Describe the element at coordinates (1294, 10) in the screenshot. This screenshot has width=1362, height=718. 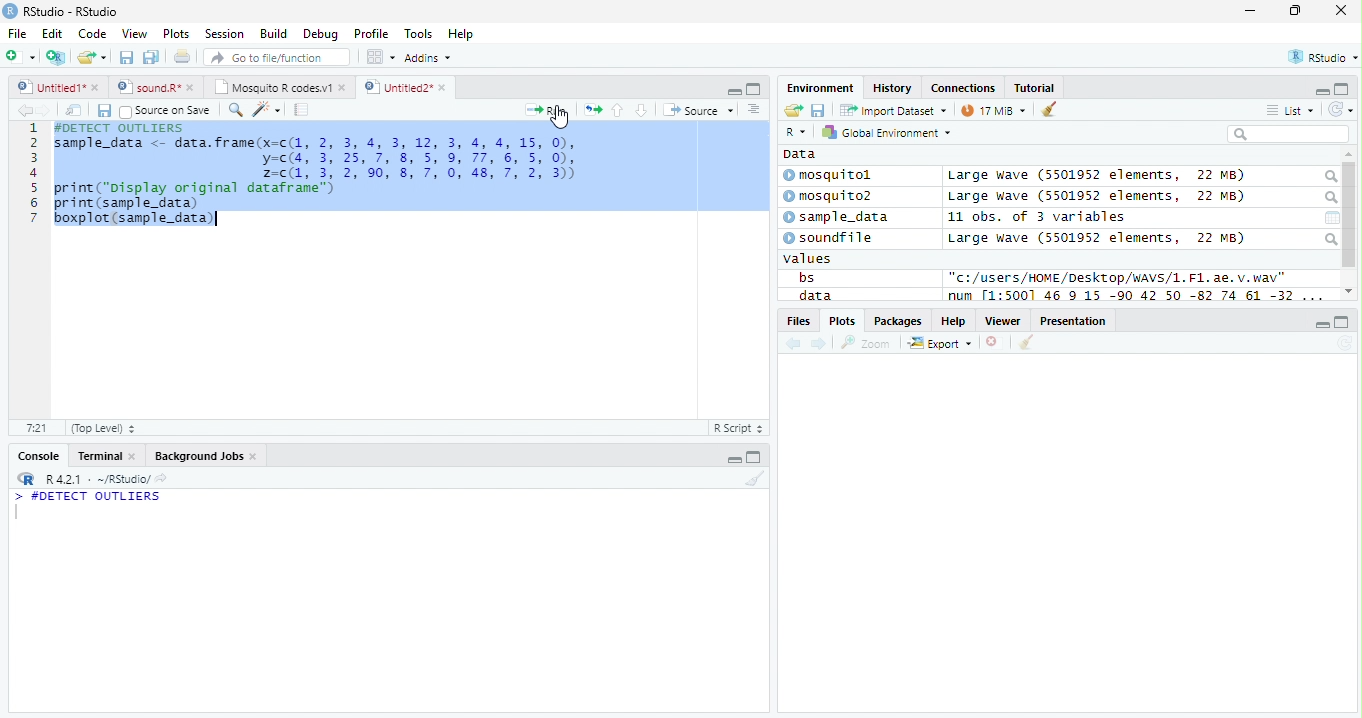
I see `maximize` at that location.